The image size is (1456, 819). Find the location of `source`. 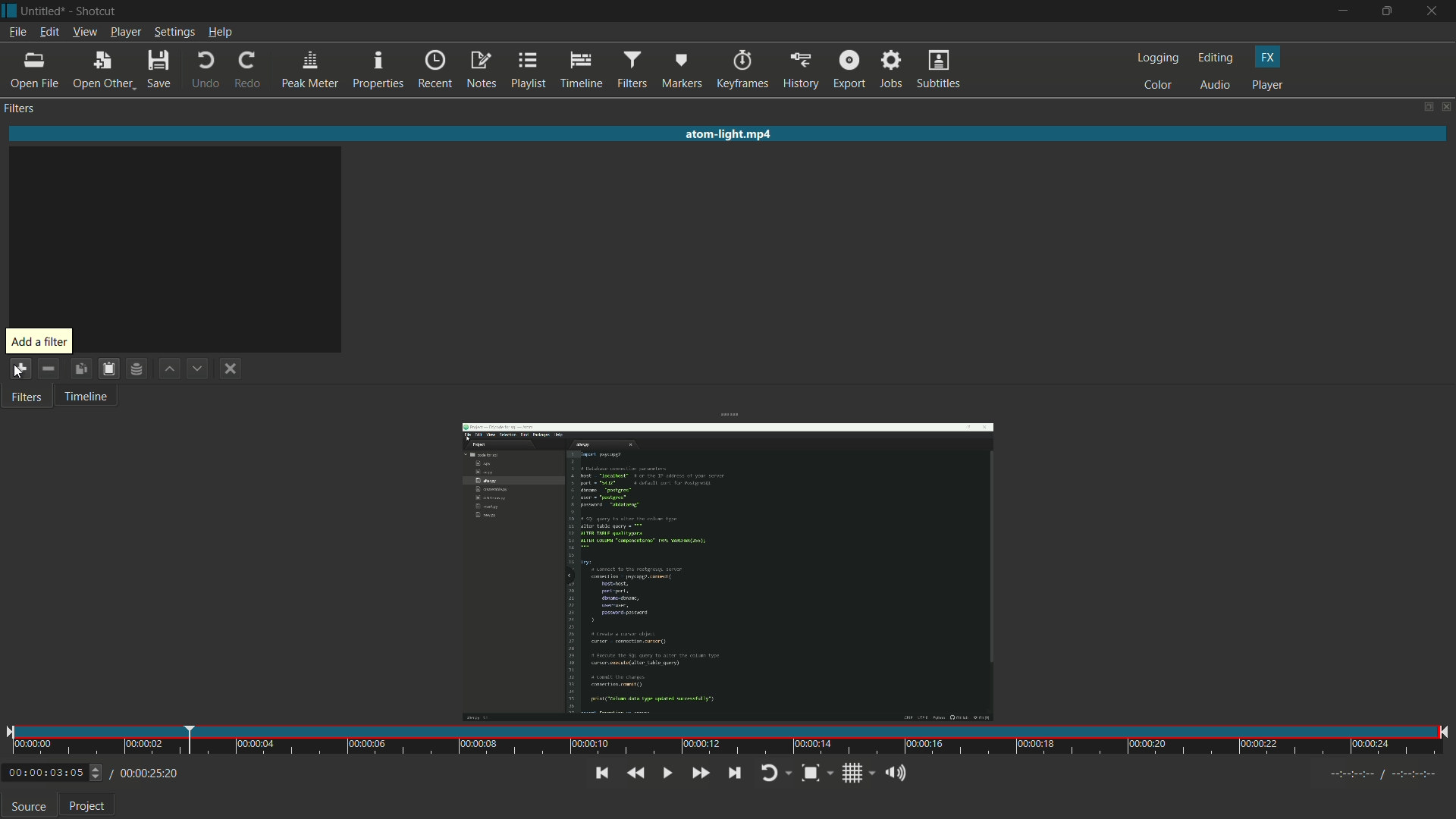

source is located at coordinates (29, 808).